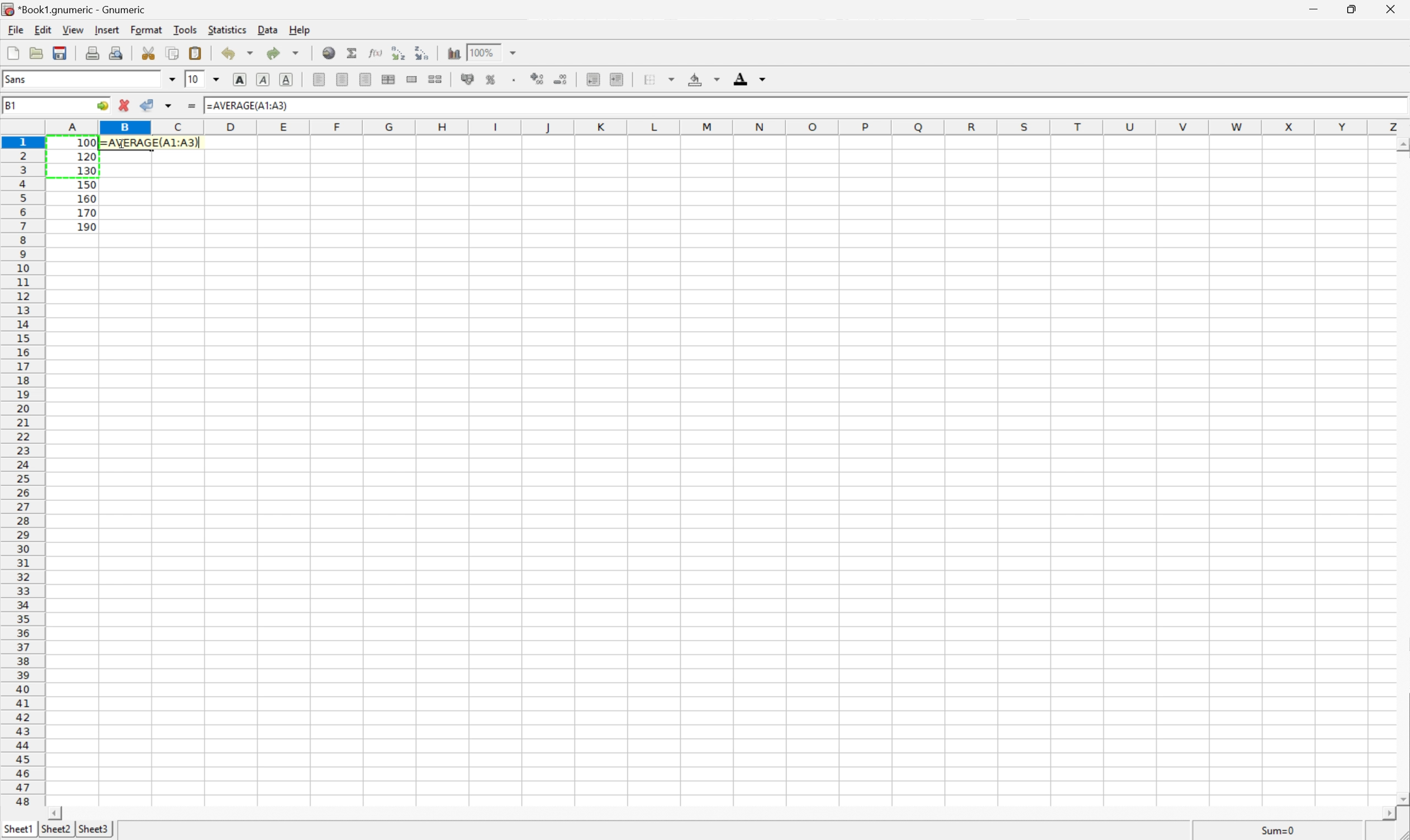  What do you see at coordinates (423, 53) in the screenshot?
I see `Sort the selected region in descending order based on the first column selected` at bounding box center [423, 53].